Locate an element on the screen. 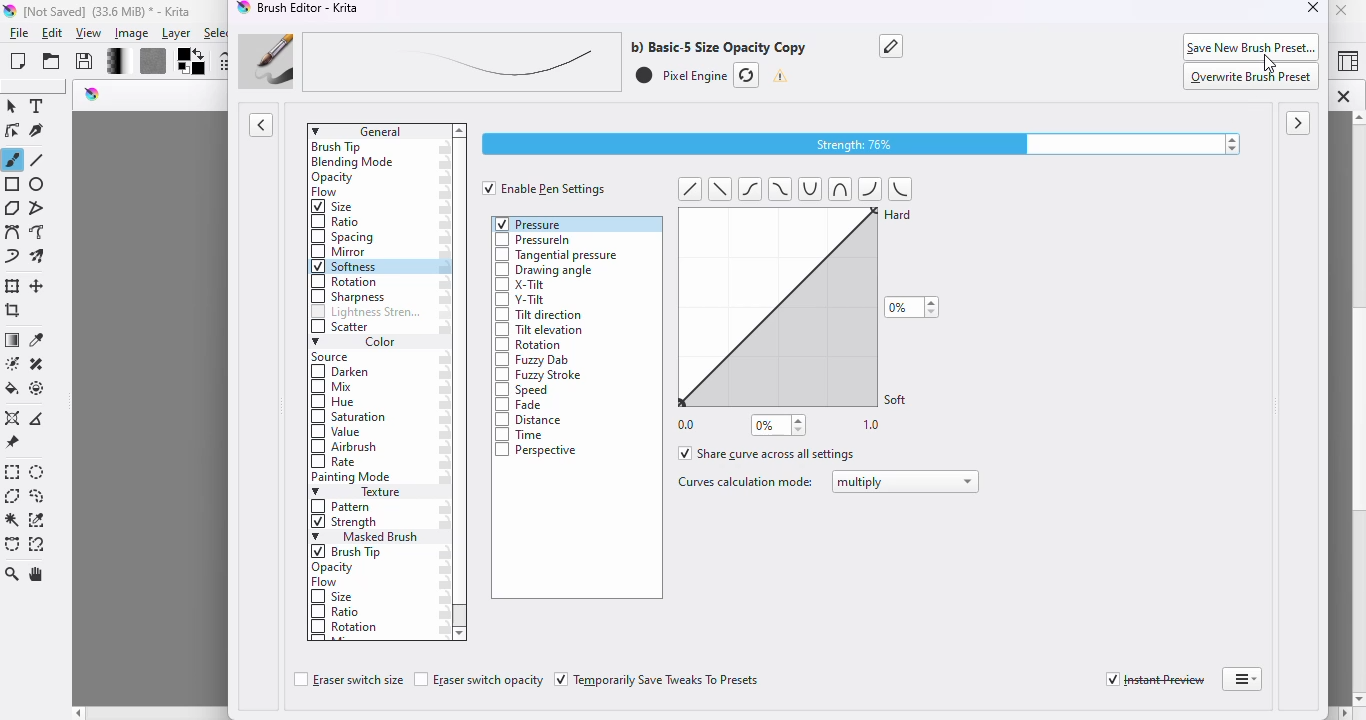 Image resolution: width=1366 pixels, height=720 pixels. eraser switch opacity is located at coordinates (479, 680).